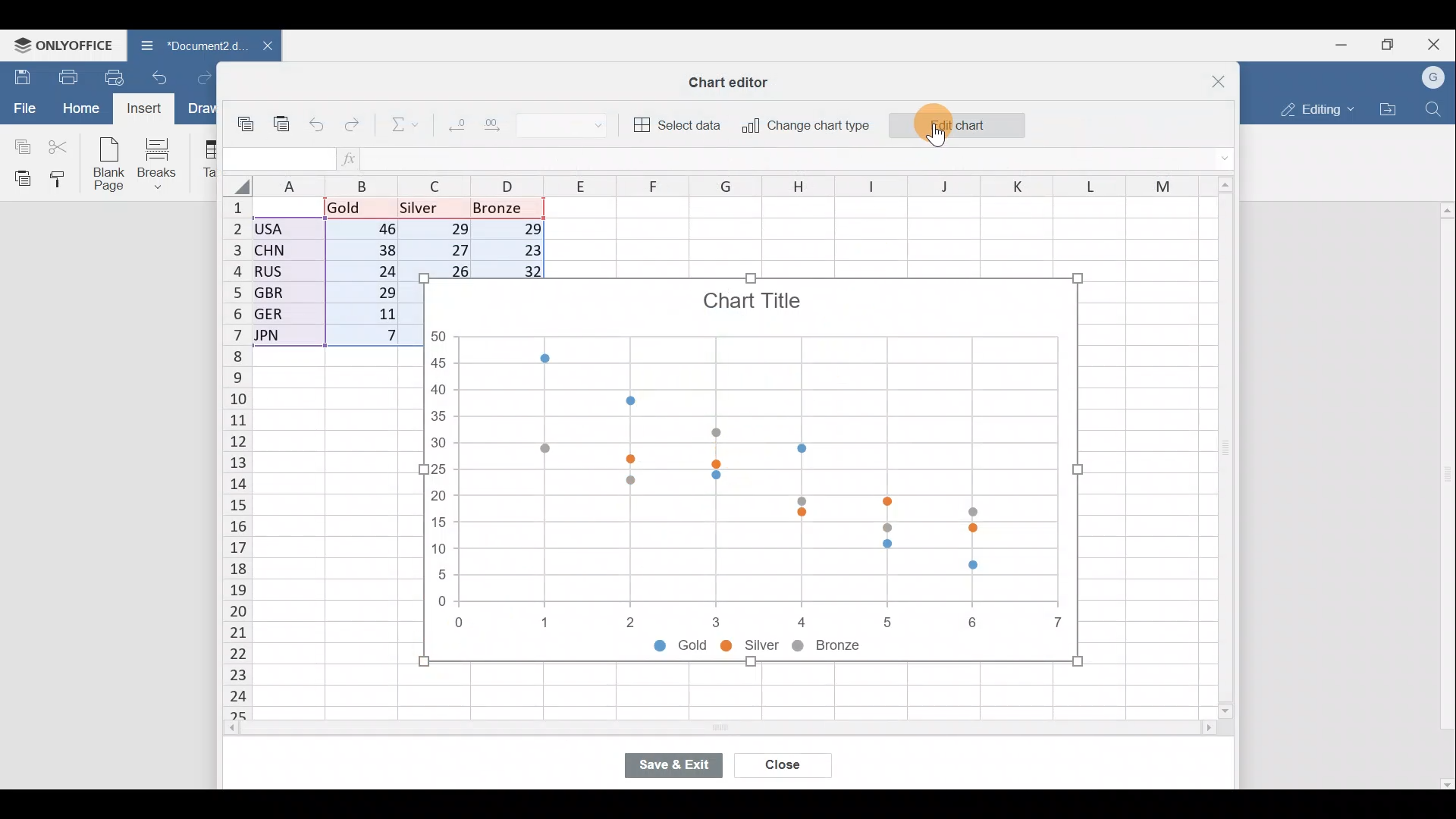 Image resolution: width=1456 pixels, height=819 pixels. What do you see at coordinates (63, 146) in the screenshot?
I see `Cut` at bounding box center [63, 146].